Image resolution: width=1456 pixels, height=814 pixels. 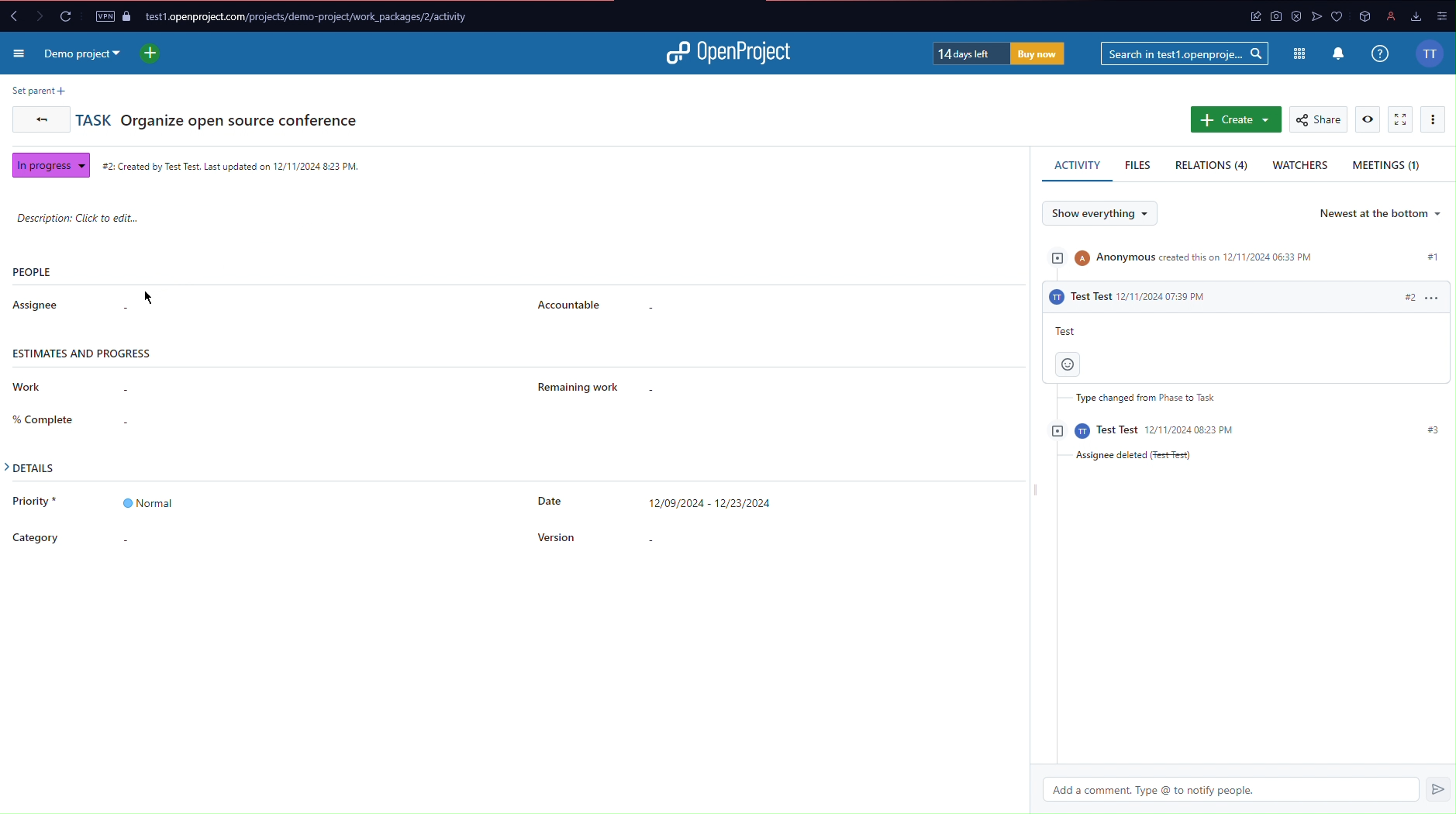 I want to click on Work, so click(x=24, y=388).